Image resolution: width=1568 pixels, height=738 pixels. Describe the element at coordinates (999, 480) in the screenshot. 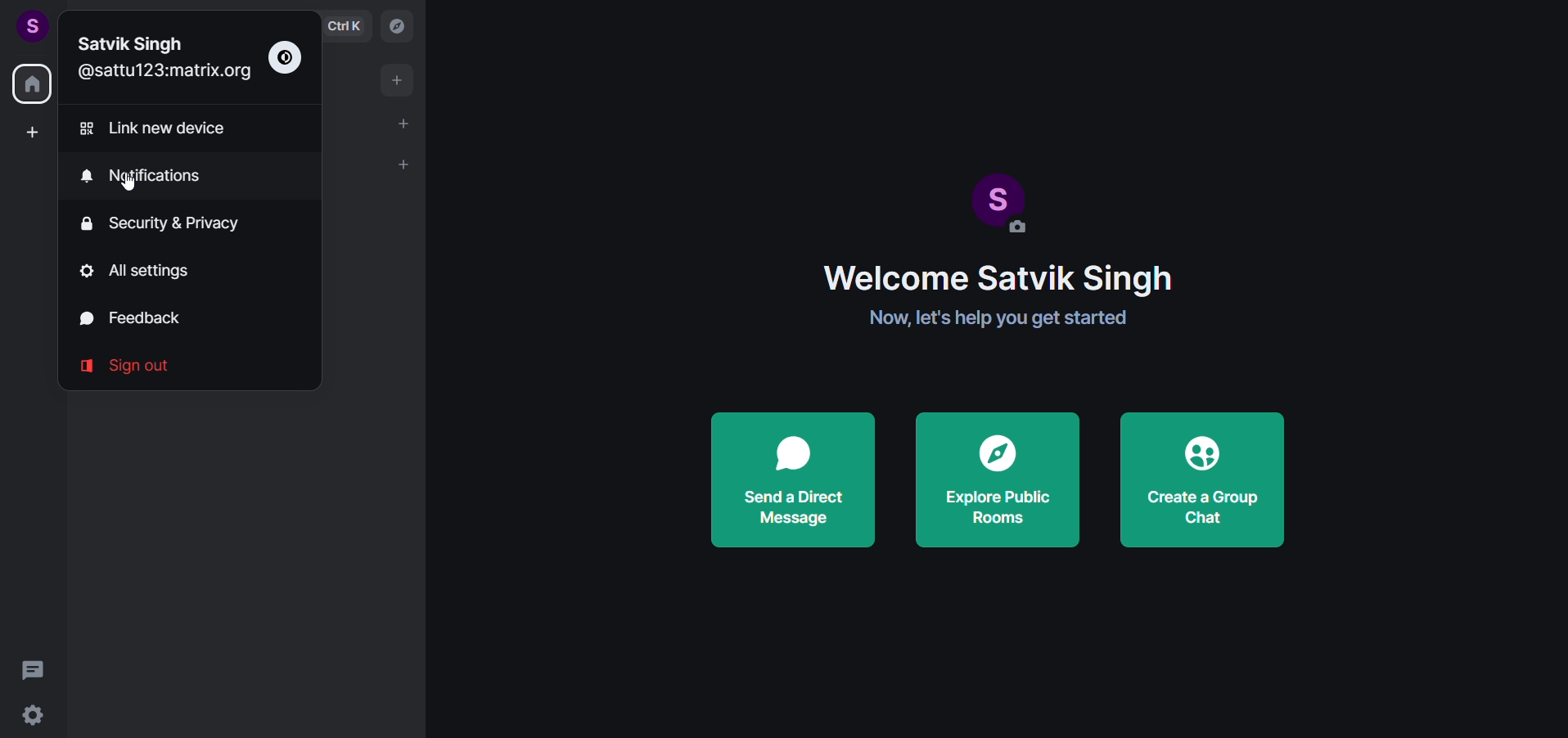

I see `explore public rooms` at that location.